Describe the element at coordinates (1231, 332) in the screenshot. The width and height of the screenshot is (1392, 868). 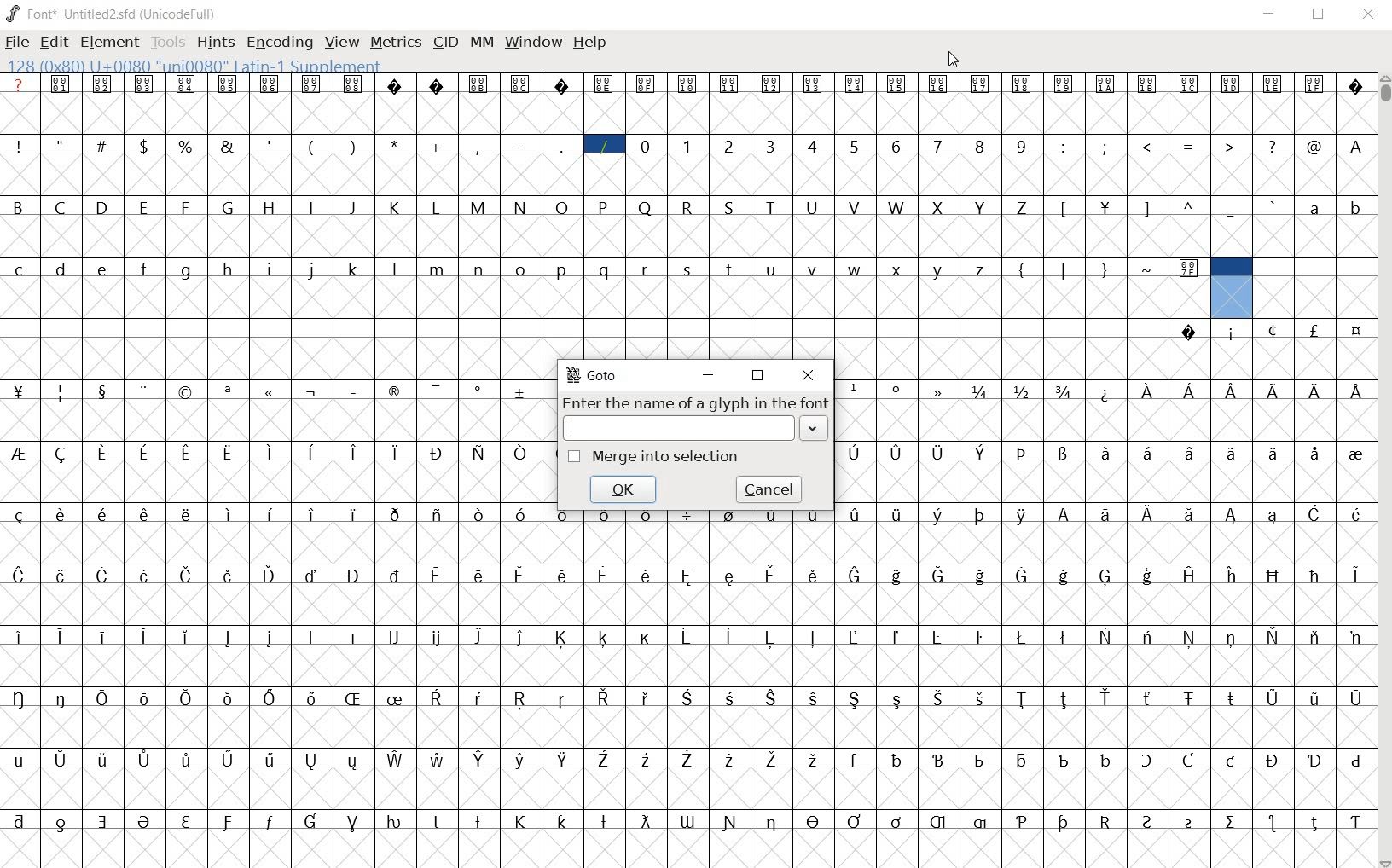
I see `Symbol` at that location.